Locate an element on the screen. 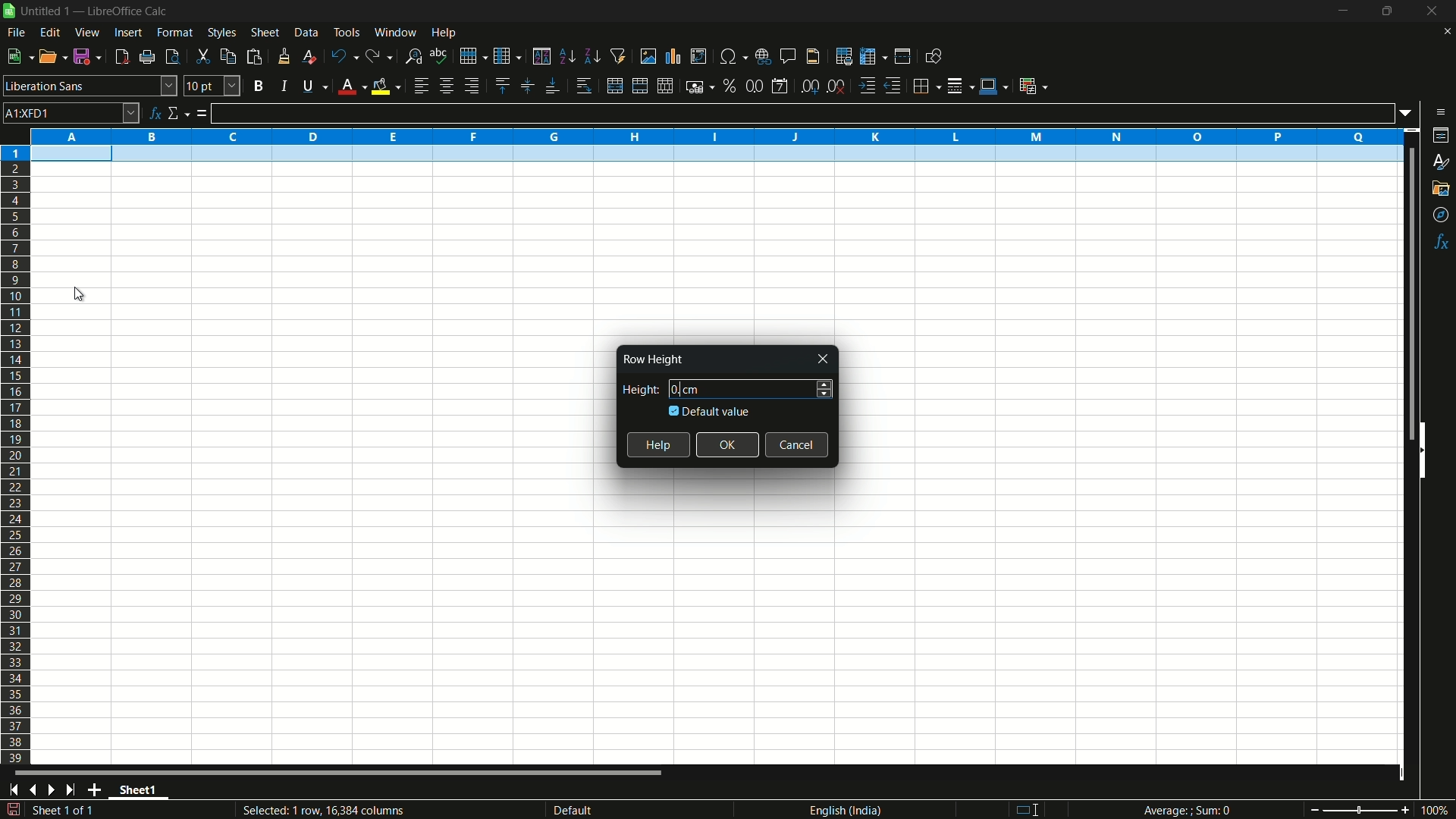  insert image is located at coordinates (648, 55).